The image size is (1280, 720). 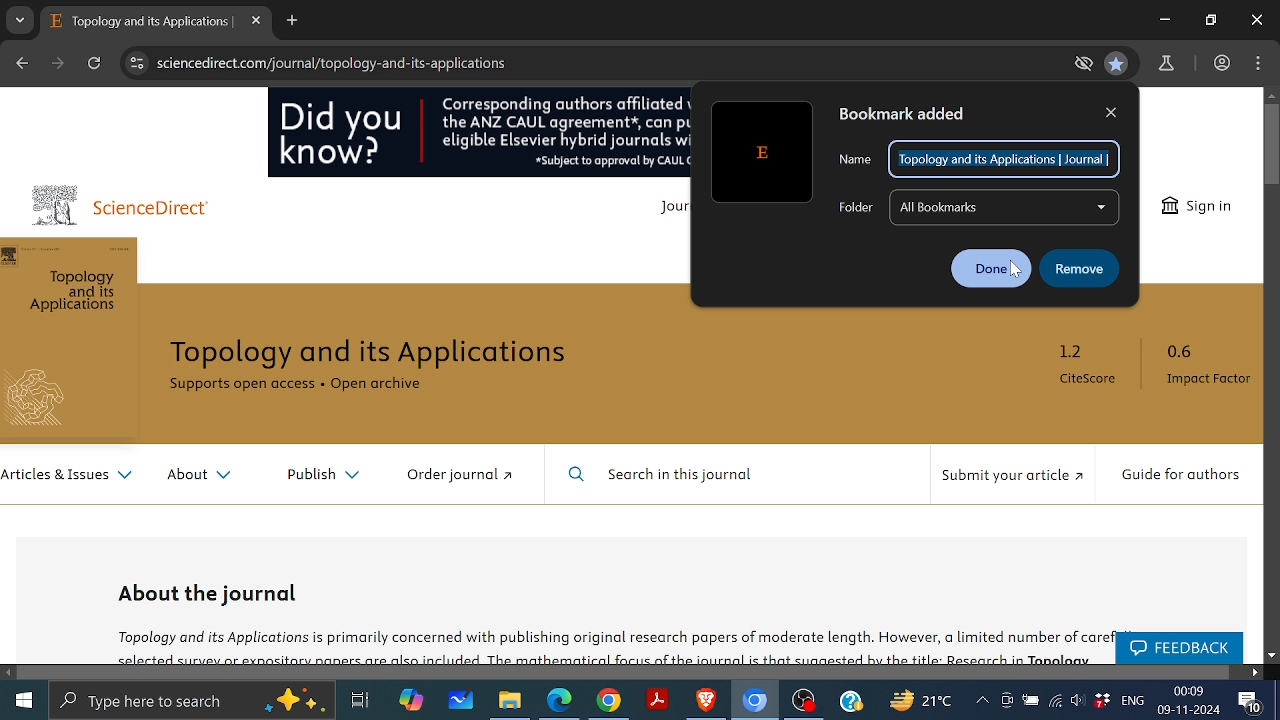 I want to click on about the journal, so click(x=211, y=592).